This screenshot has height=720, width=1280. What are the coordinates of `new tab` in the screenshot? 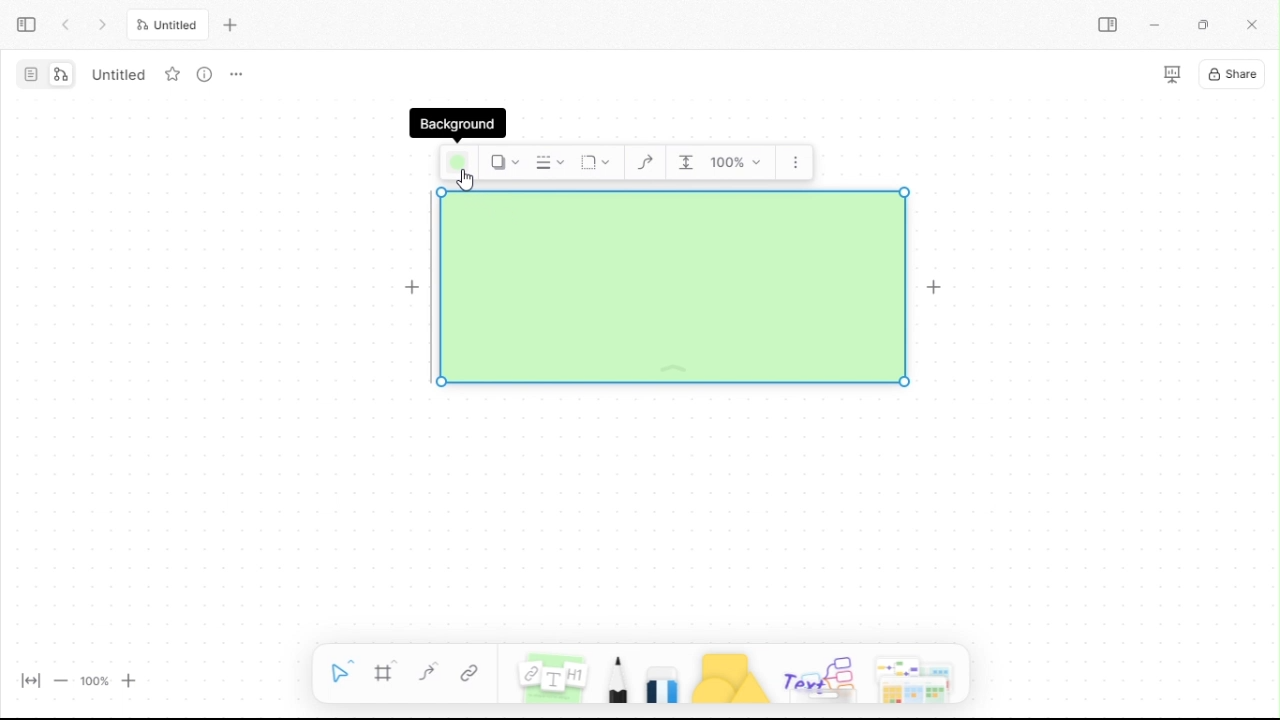 It's located at (230, 24).